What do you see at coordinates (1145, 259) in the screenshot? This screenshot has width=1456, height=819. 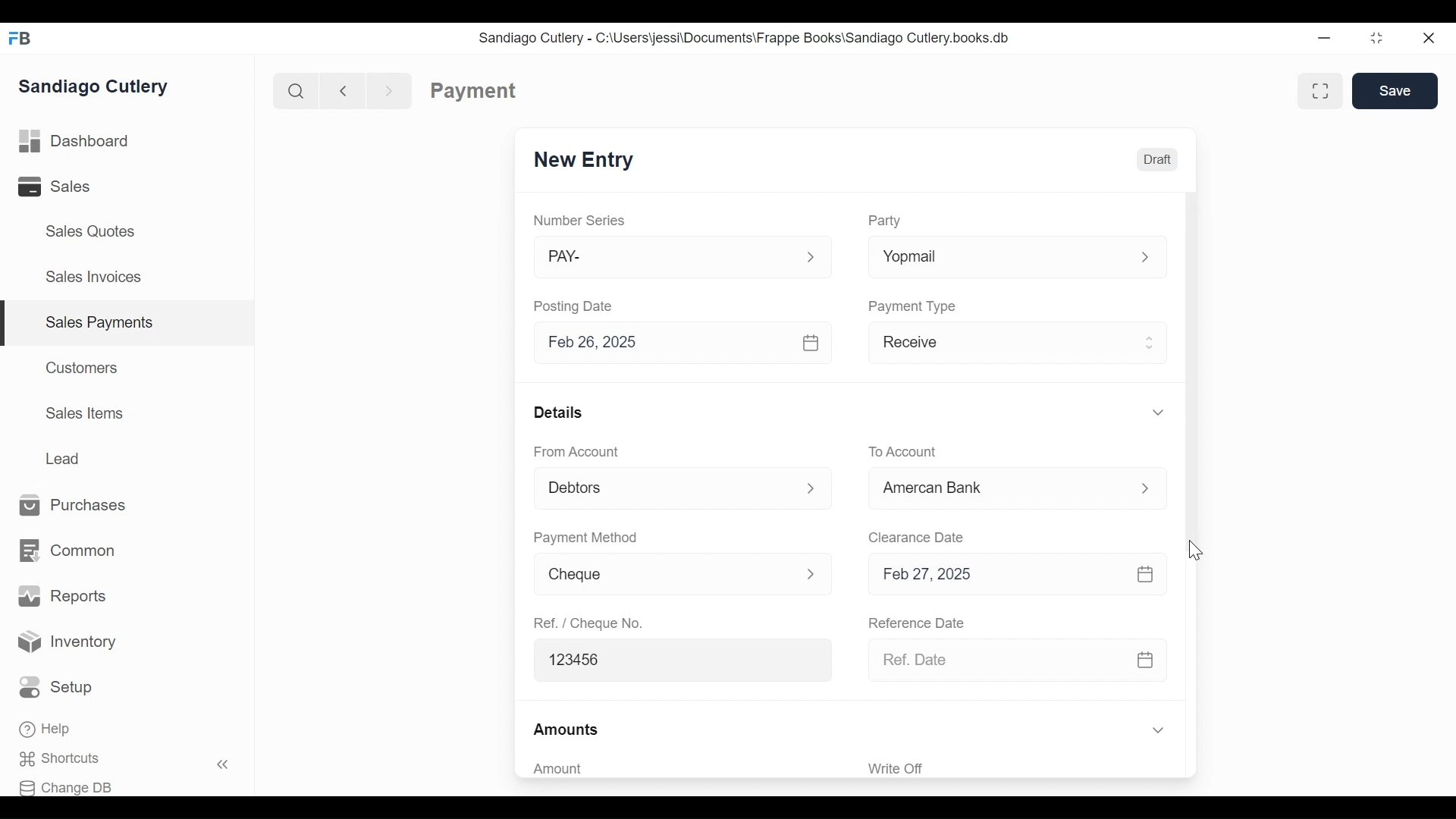 I see `Expand` at bounding box center [1145, 259].